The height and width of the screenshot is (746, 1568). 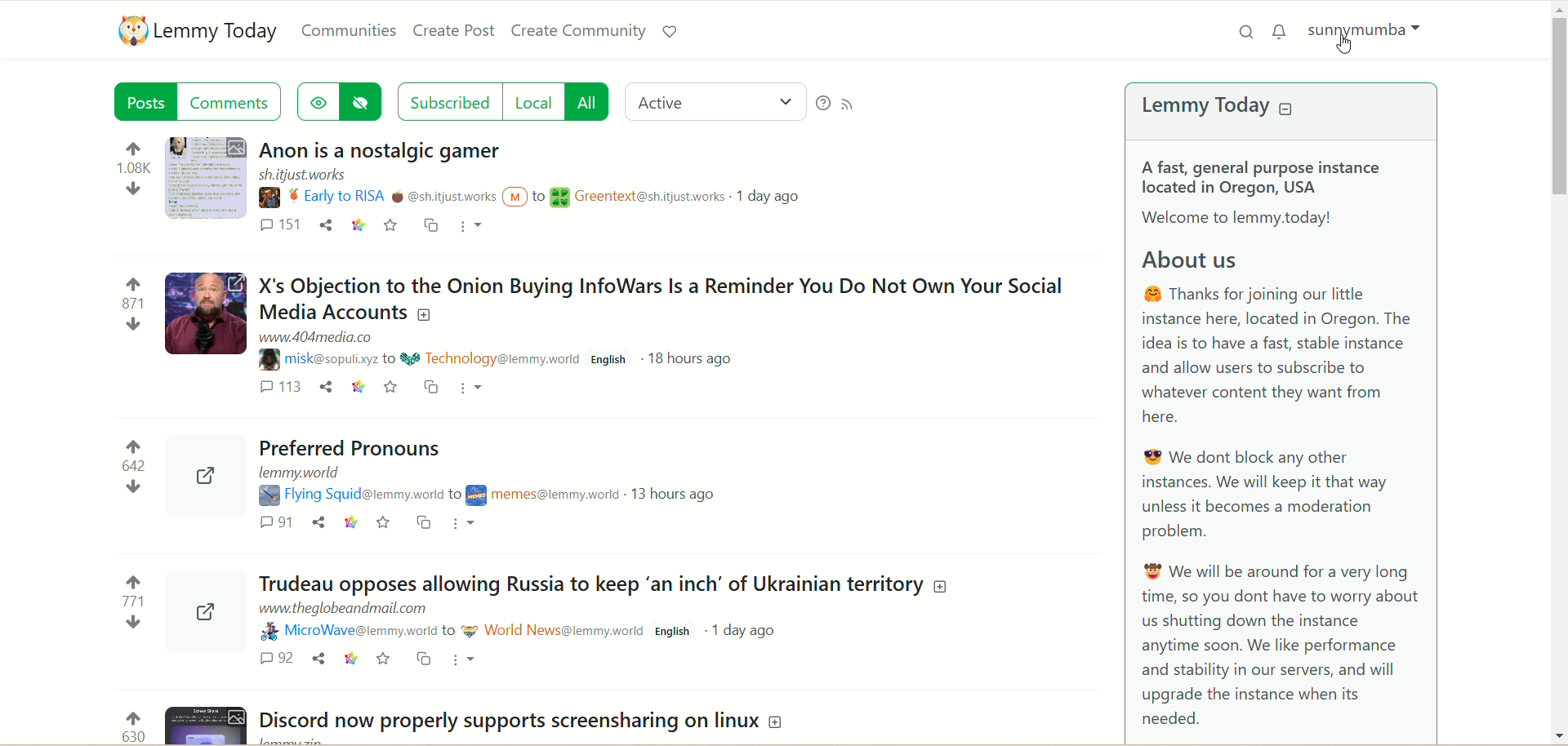 What do you see at coordinates (470, 526) in the screenshot?
I see `More options` at bounding box center [470, 526].